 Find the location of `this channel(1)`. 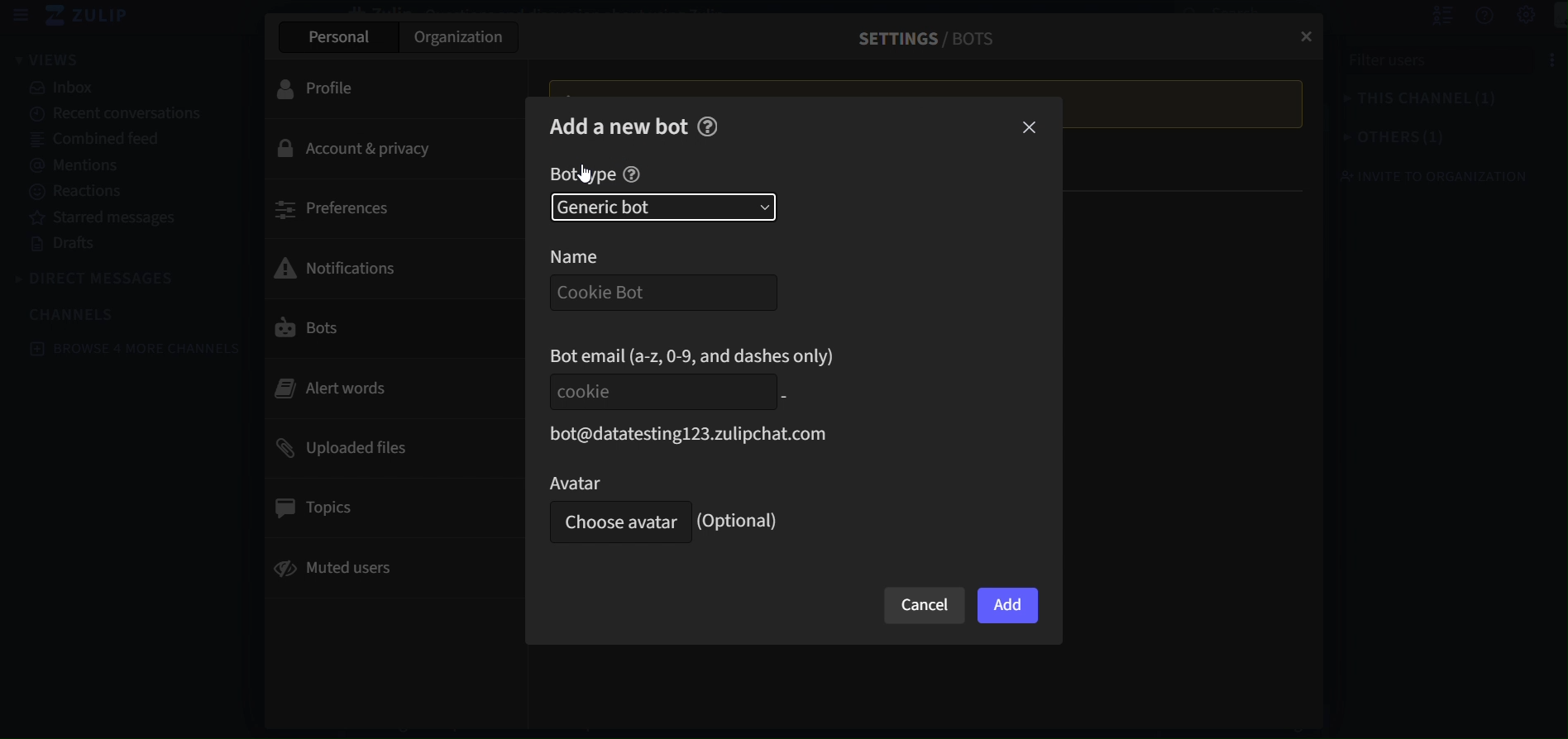

this channel(1) is located at coordinates (1428, 102).